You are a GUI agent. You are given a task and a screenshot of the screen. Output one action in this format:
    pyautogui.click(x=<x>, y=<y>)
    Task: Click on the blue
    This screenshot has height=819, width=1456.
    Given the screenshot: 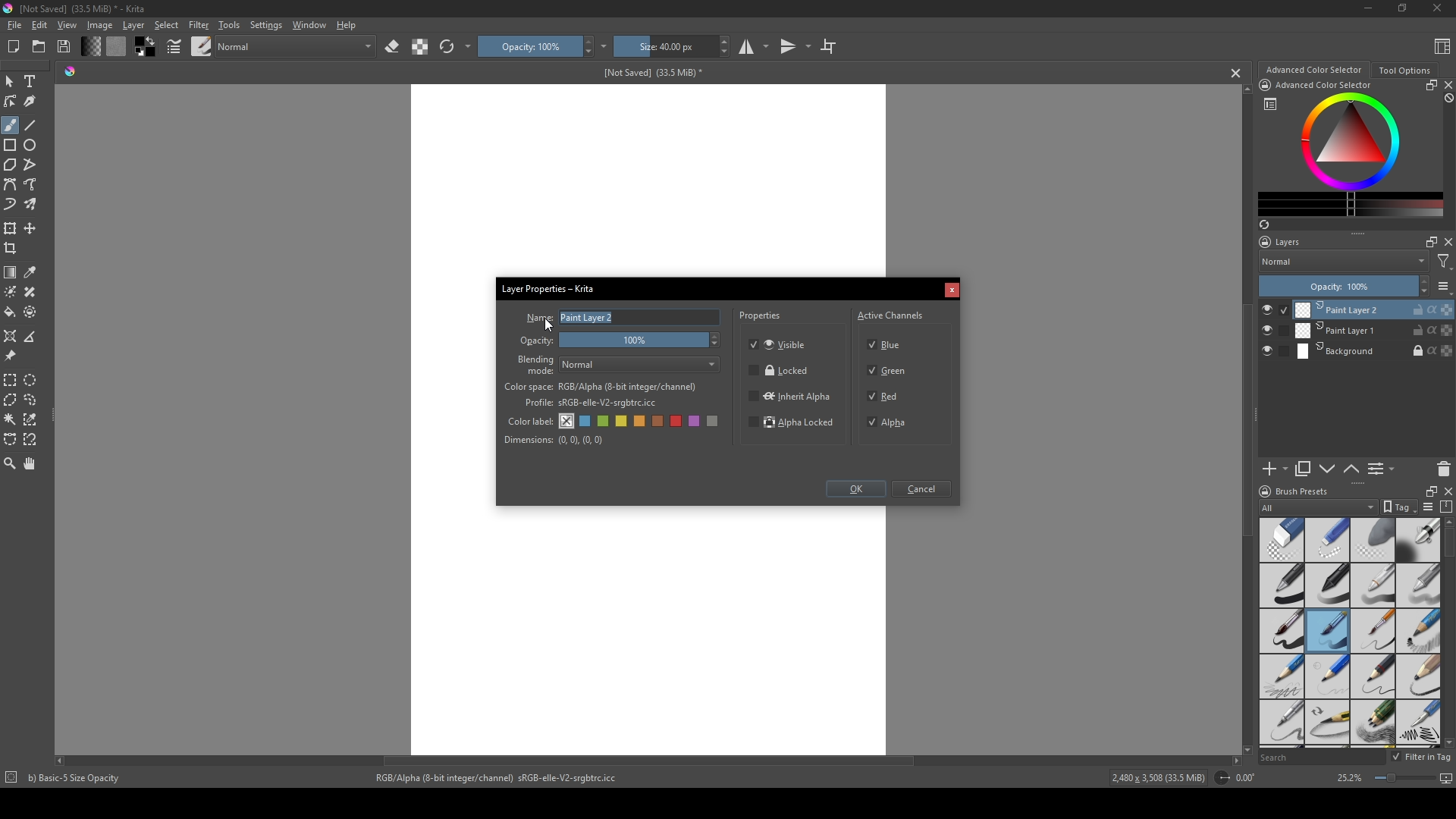 What is the action you would take?
    pyautogui.click(x=586, y=422)
    